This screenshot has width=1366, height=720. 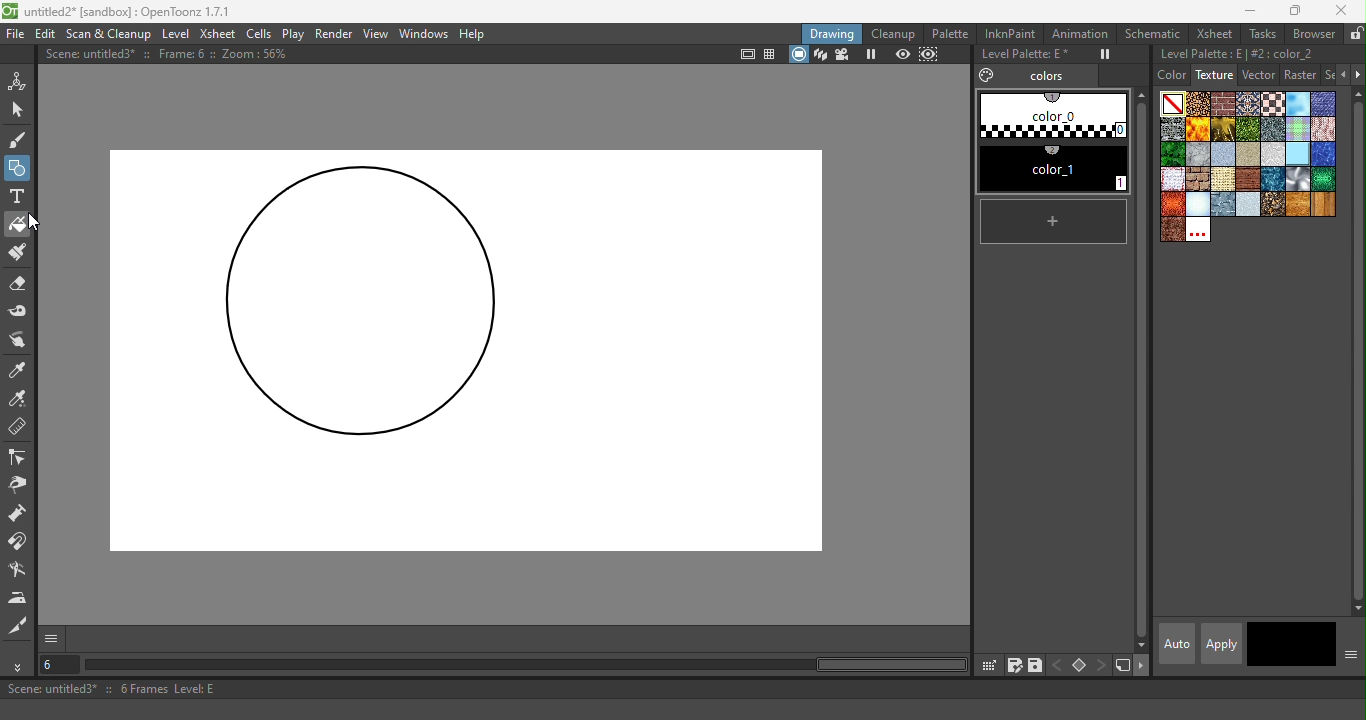 What do you see at coordinates (1051, 114) in the screenshot?
I see `#0 color_0 (1)` at bounding box center [1051, 114].